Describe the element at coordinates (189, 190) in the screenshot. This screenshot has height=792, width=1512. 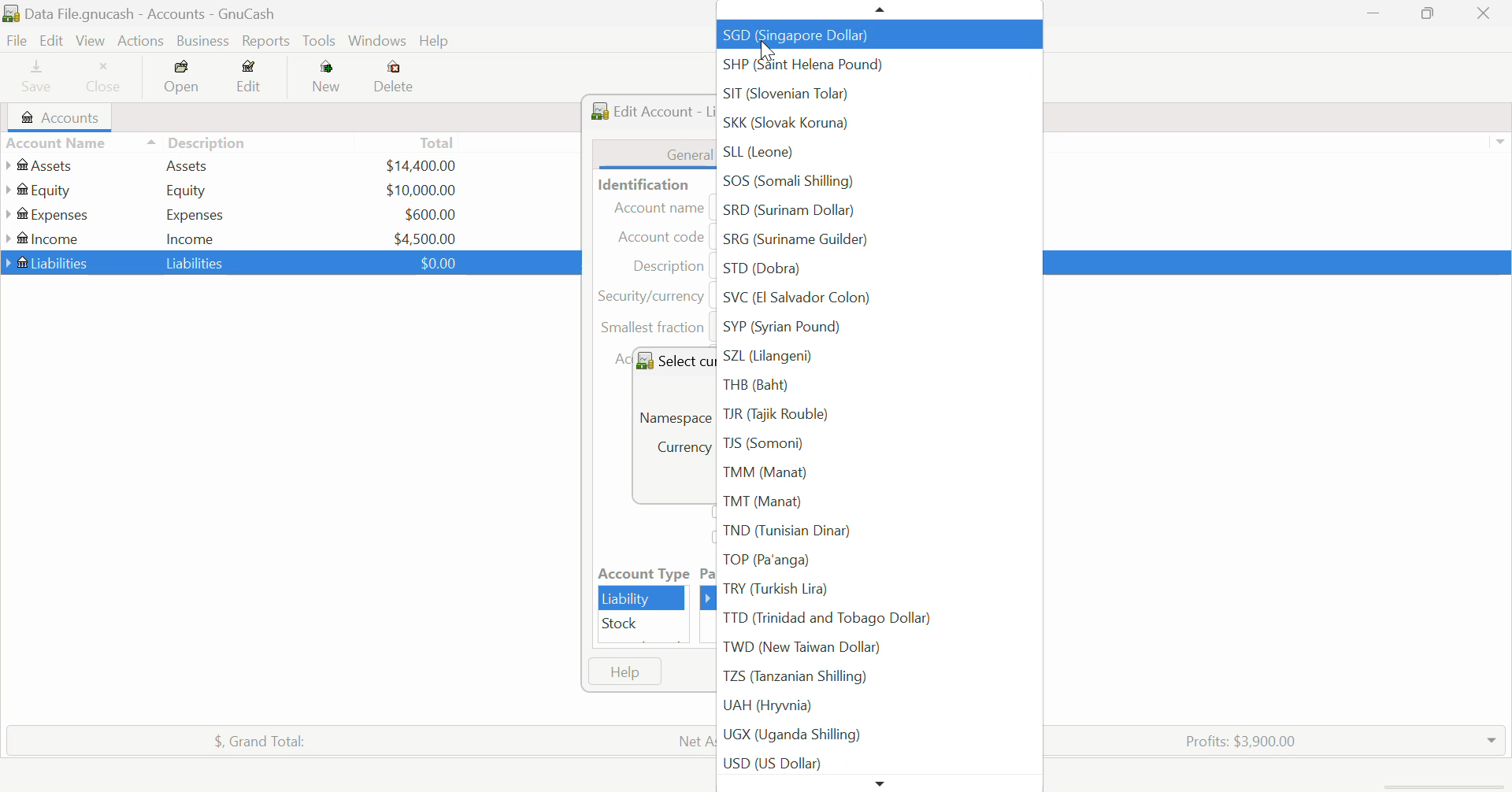
I see `Equity` at that location.